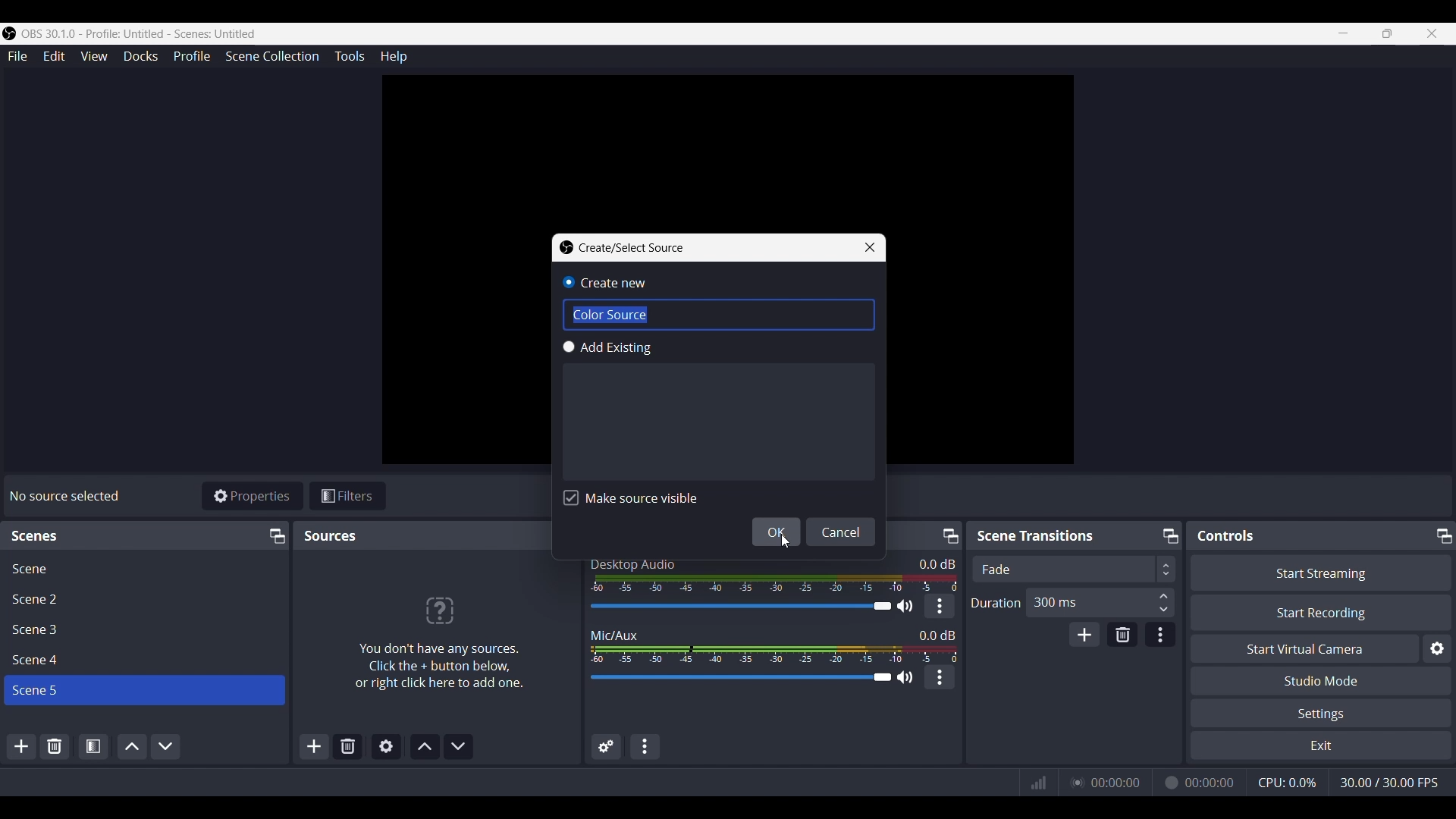 The height and width of the screenshot is (819, 1456). I want to click on Settings, so click(1321, 714).